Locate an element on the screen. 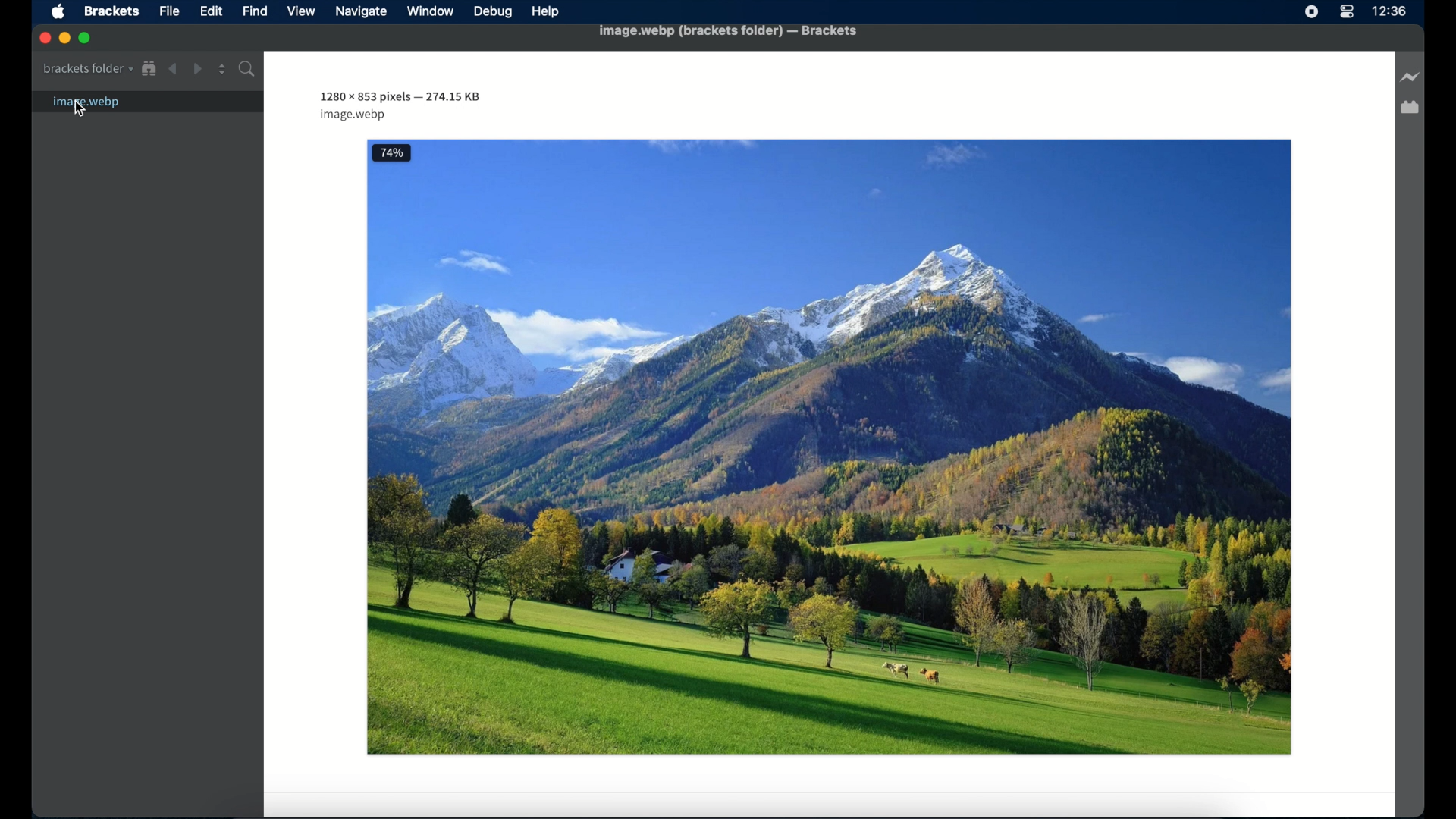 The height and width of the screenshot is (819, 1456). forward is located at coordinates (197, 69).